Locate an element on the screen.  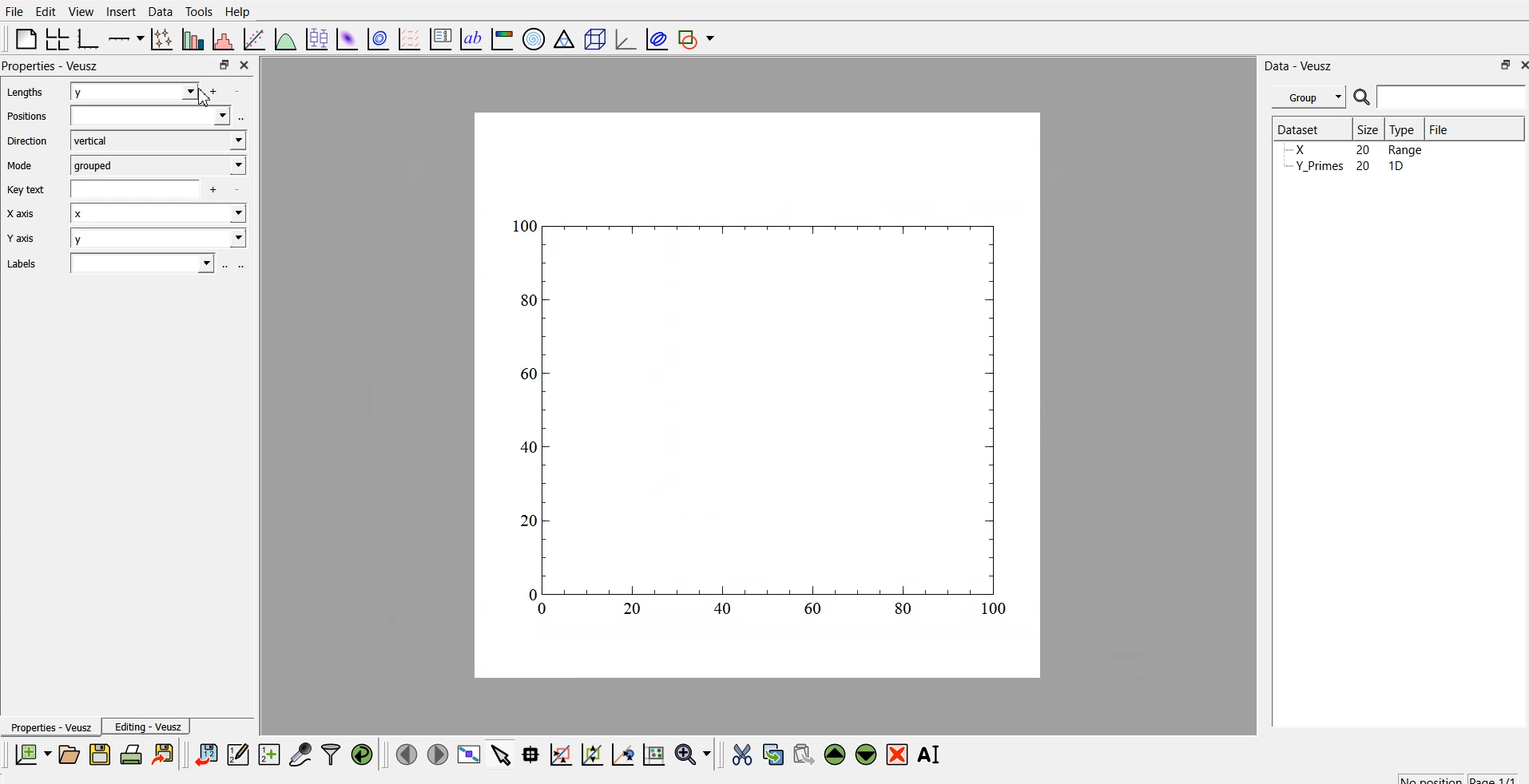
Help is located at coordinates (241, 11).